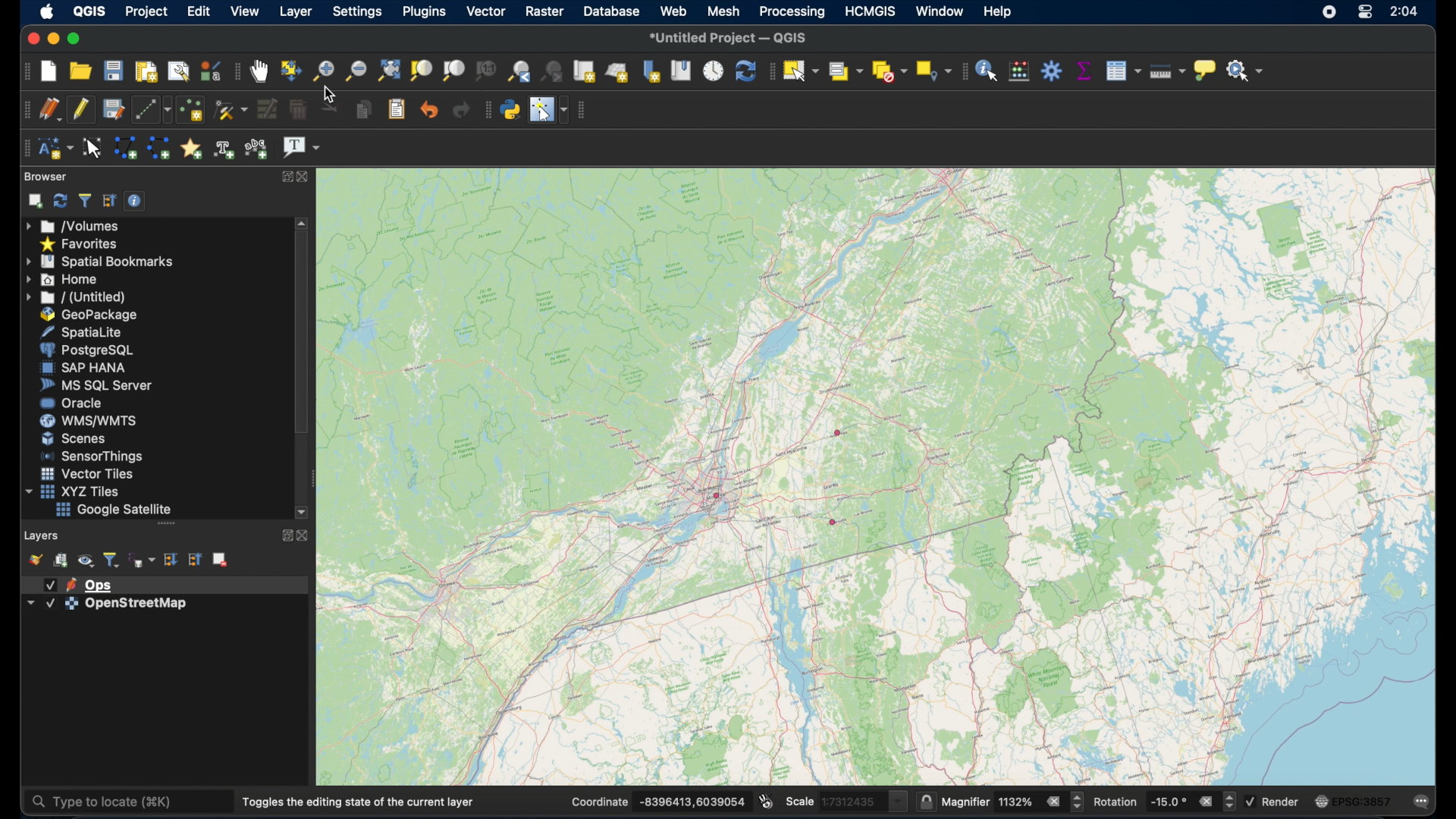  I want to click on untitled project QGIS, so click(733, 37).